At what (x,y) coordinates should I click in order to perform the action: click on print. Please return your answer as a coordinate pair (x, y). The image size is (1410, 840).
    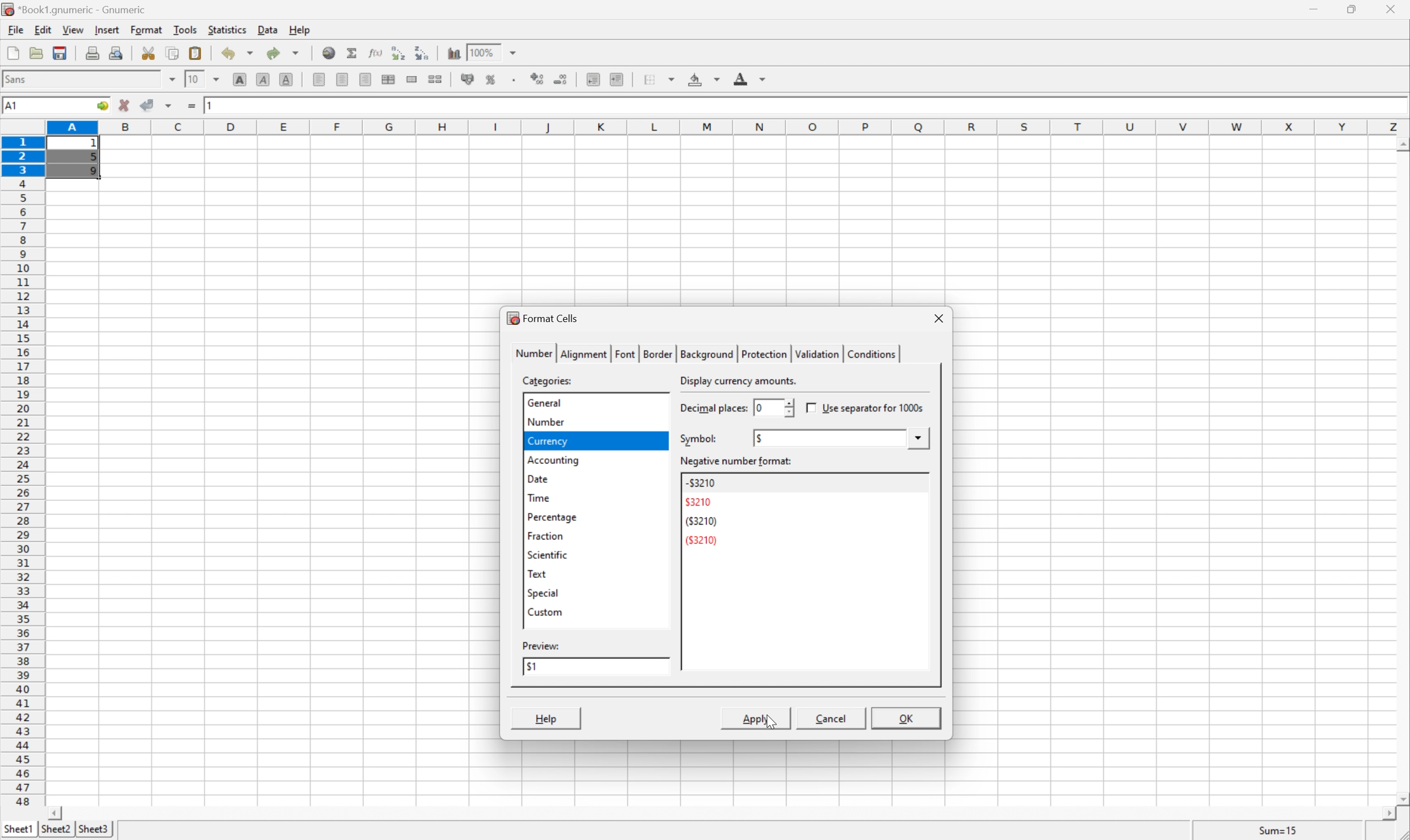
    Looking at the image, I should click on (91, 51).